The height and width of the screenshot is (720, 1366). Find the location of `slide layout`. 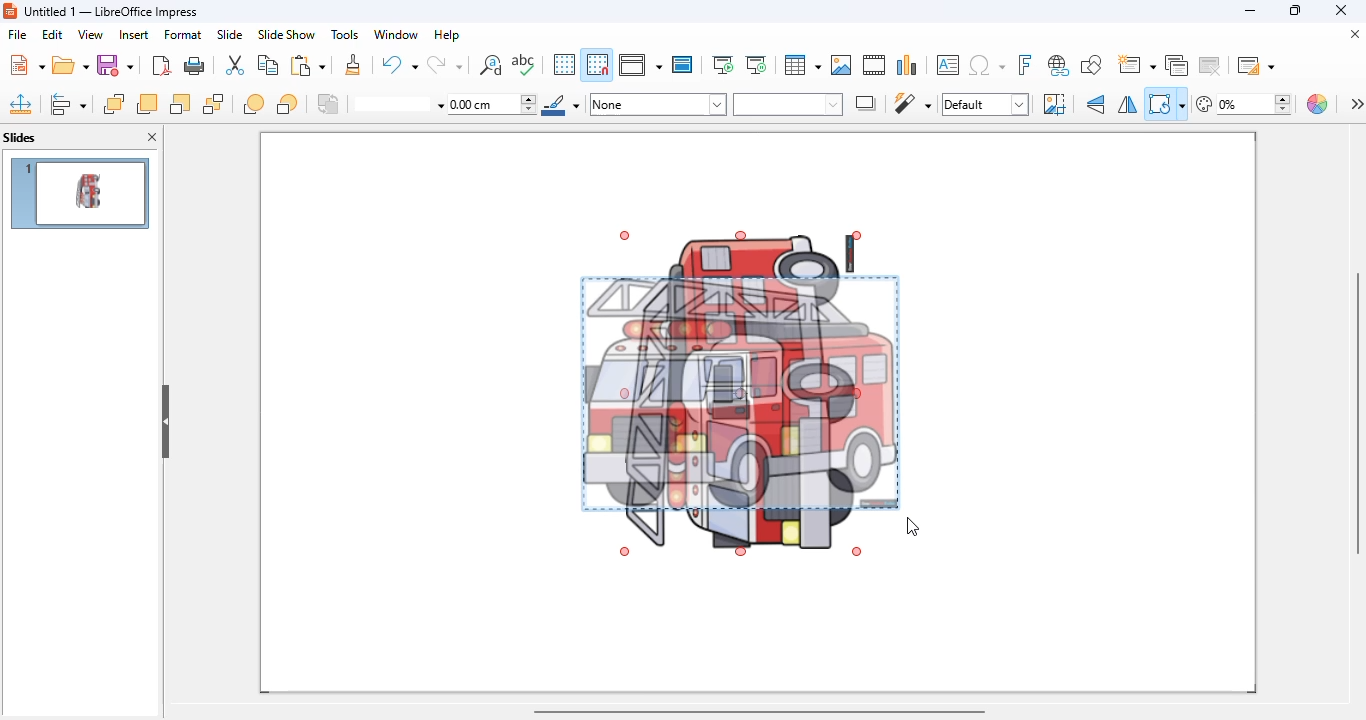

slide layout is located at coordinates (1254, 64).